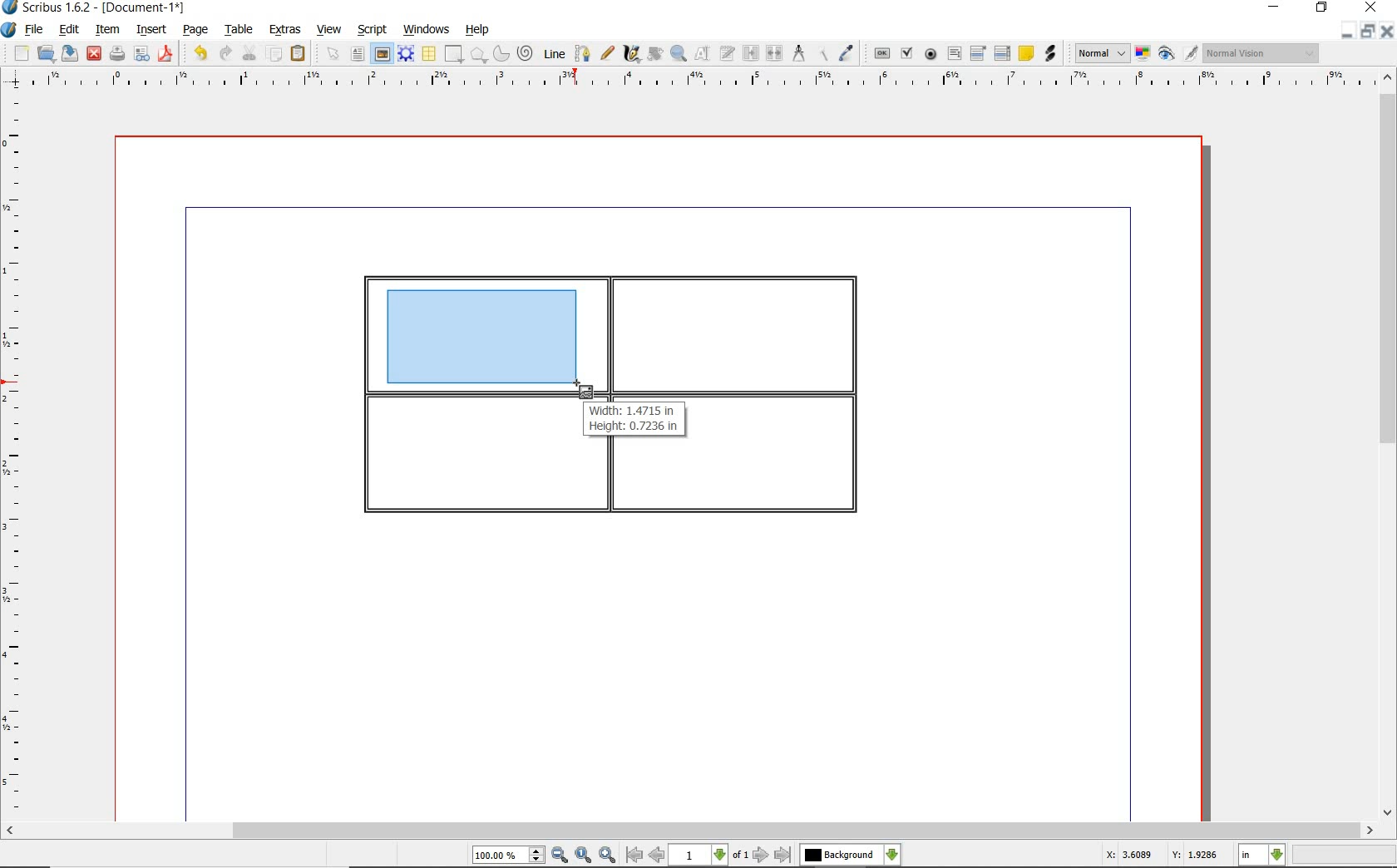 The width and height of the screenshot is (1397, 868). I want to click on zoom in or out, so click(678, 54).